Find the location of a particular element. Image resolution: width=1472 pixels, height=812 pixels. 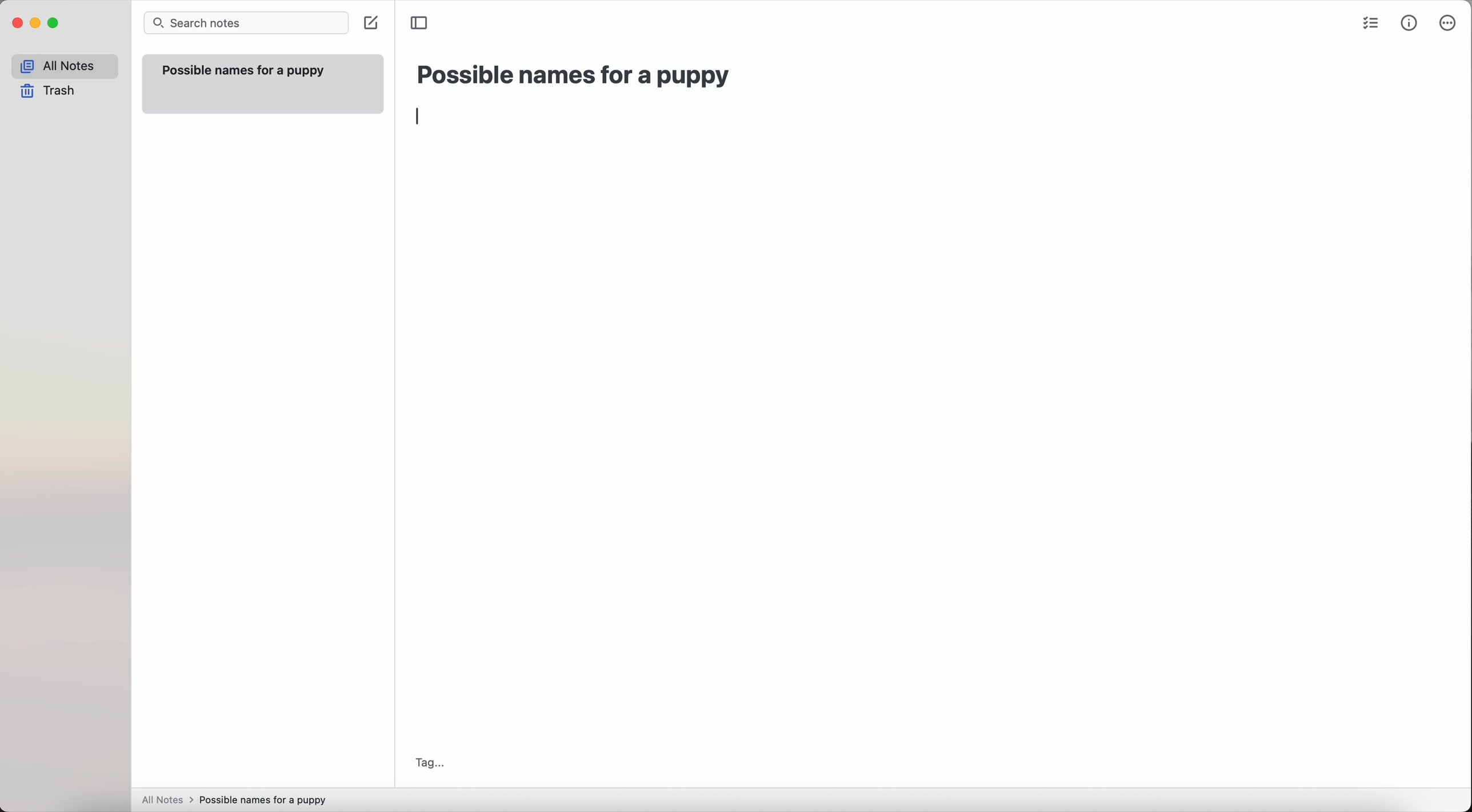

all notes is located at coordinates (65, 66).